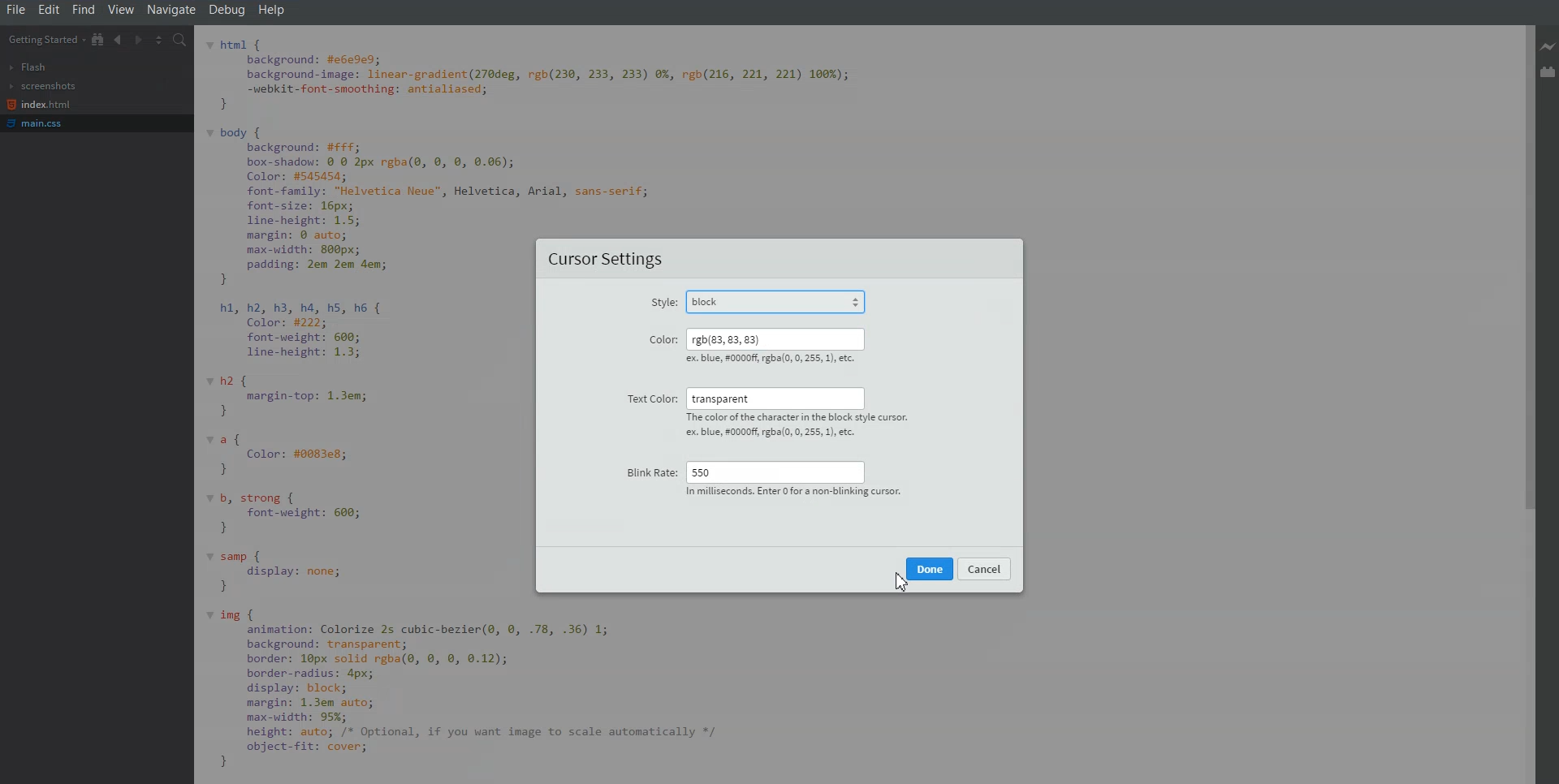 The height and width of the screenshot is (784, 1559). I want to click on Style, so click(663, 304).